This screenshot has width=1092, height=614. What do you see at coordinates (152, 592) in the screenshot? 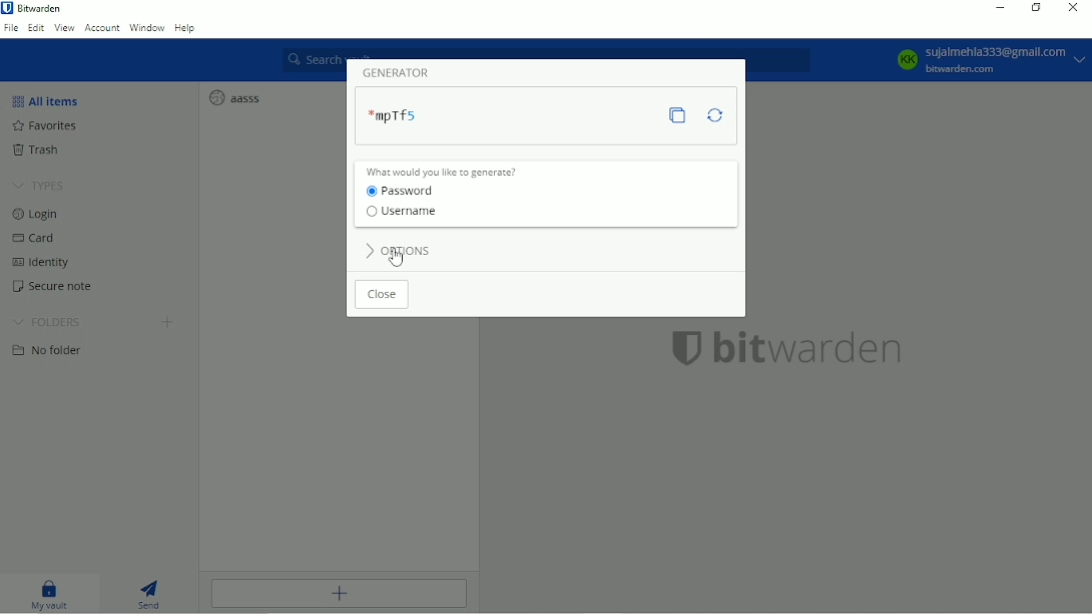
I see `Send` at bounding box center [152, 592].